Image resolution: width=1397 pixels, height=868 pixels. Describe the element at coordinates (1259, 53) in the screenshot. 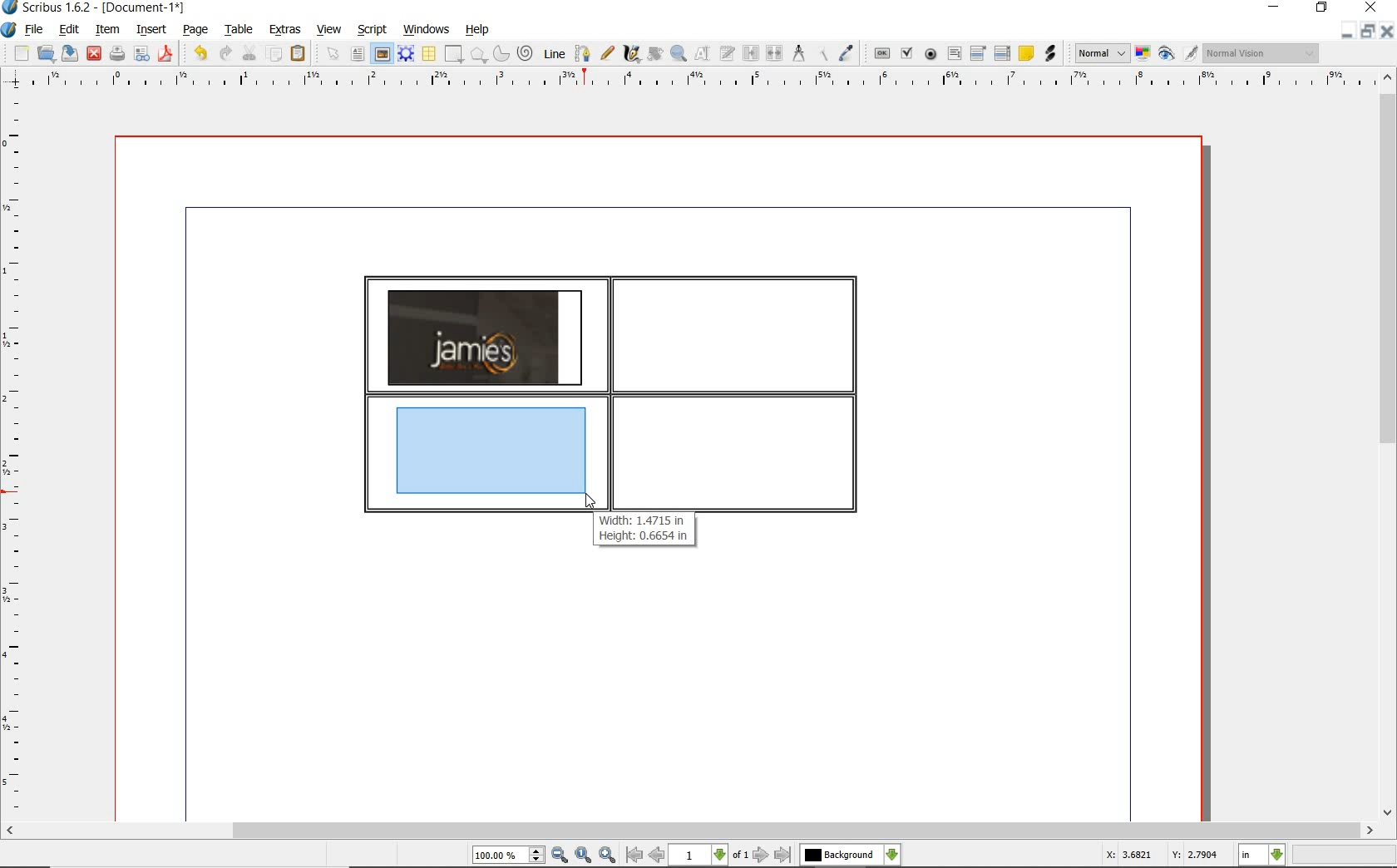

I see `visual appearance of the display` at that location.